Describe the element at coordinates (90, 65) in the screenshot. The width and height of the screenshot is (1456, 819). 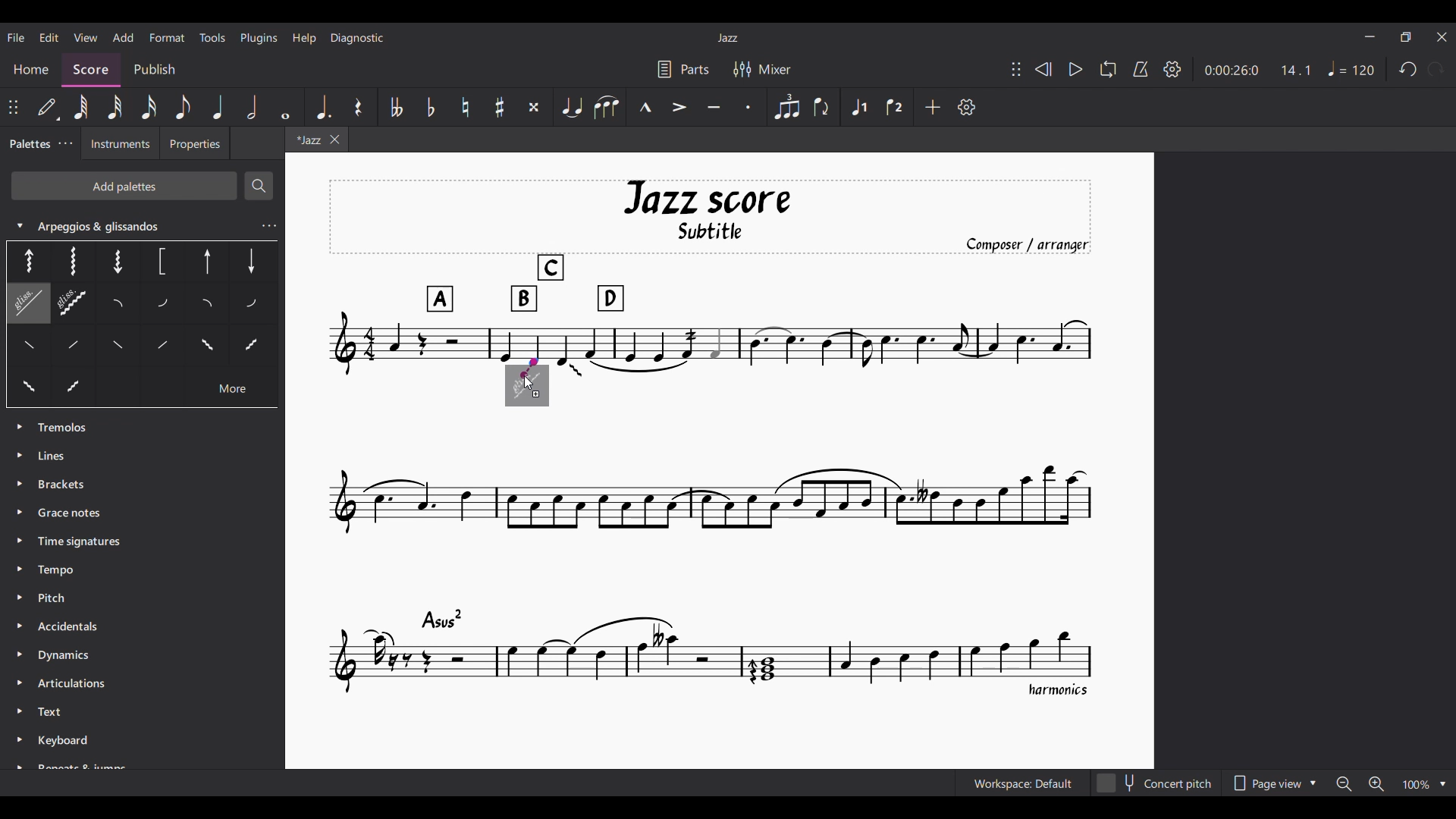
I see `Score, current section highlighted` at that location.